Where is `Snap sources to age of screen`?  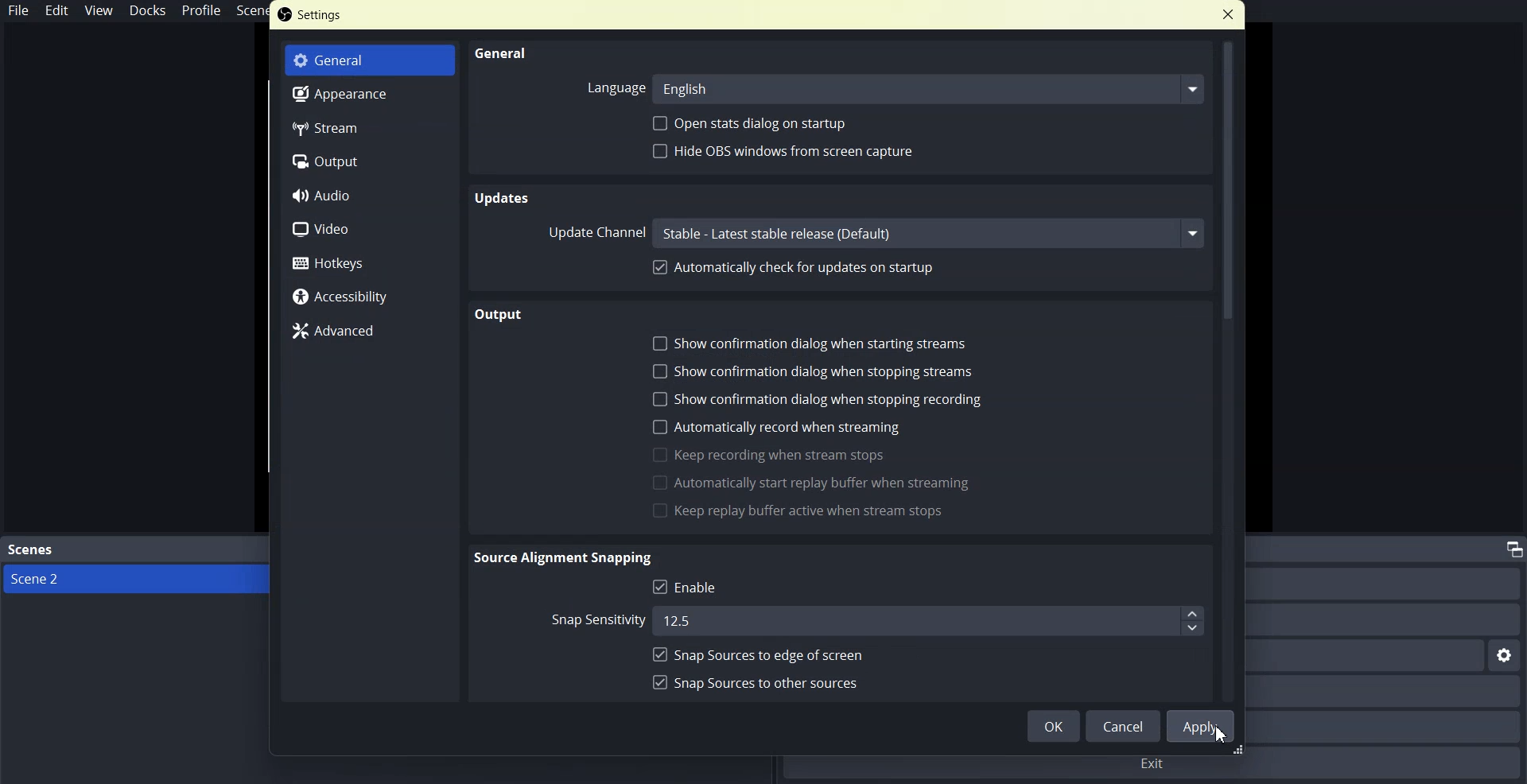 Snap sources to age of screen is located at coordinates (756, 654).